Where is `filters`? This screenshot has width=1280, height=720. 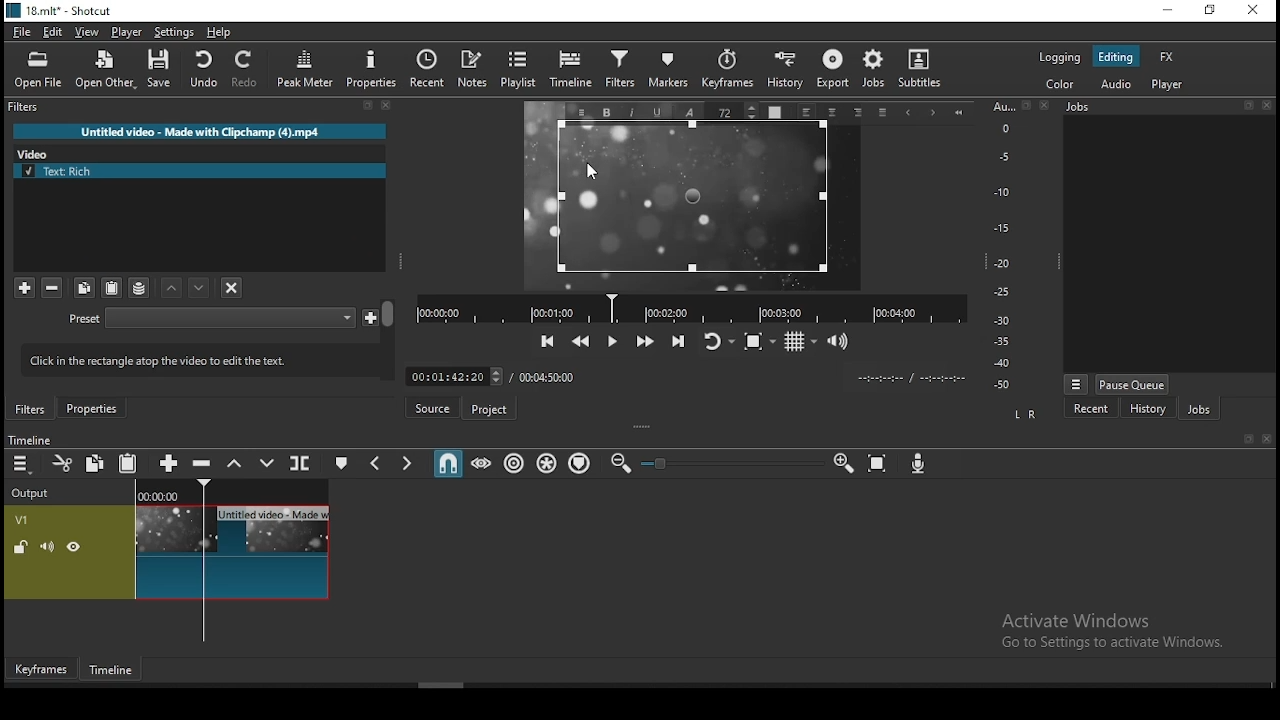 filters is located at coordinates (31, 409).